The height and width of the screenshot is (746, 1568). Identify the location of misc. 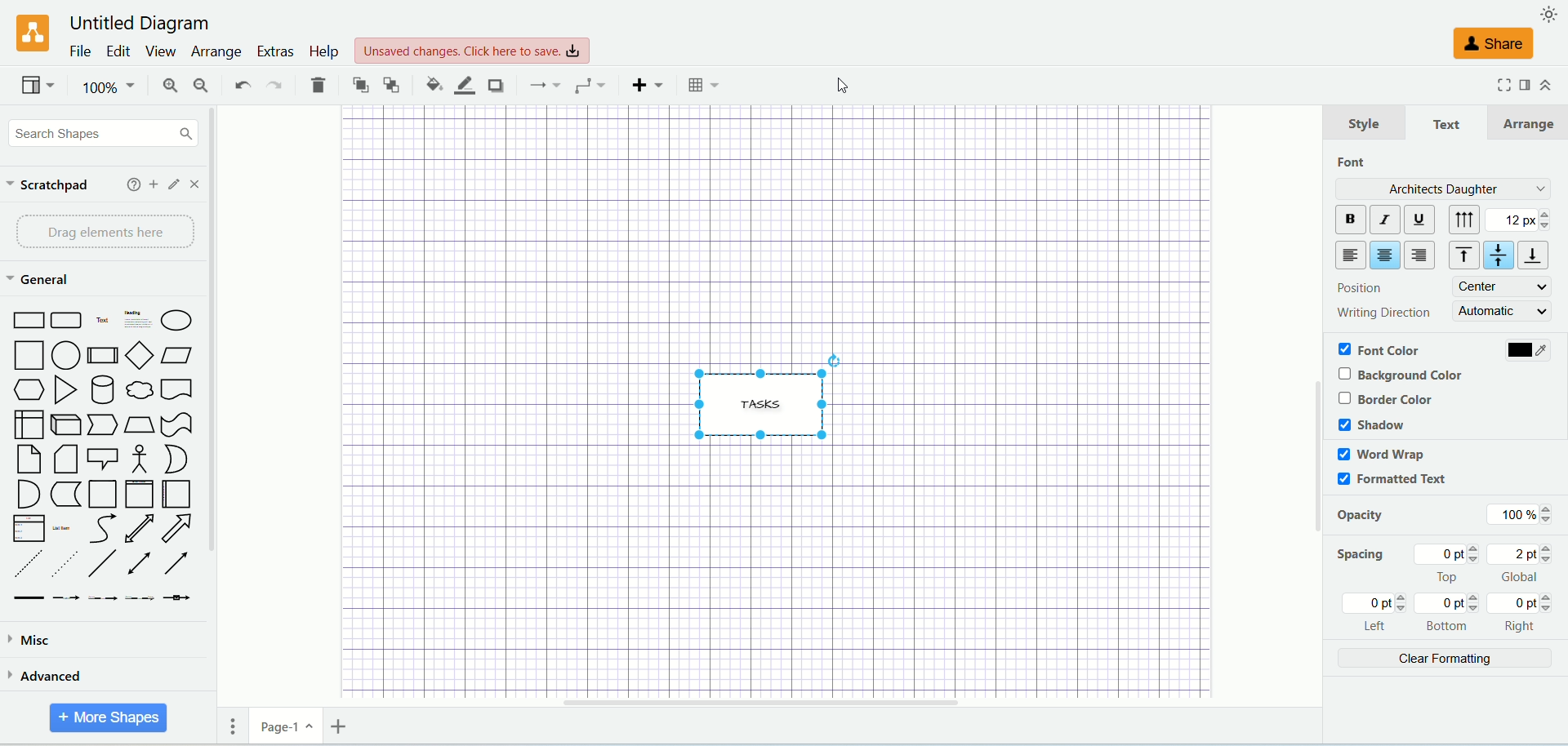
(87, 642).